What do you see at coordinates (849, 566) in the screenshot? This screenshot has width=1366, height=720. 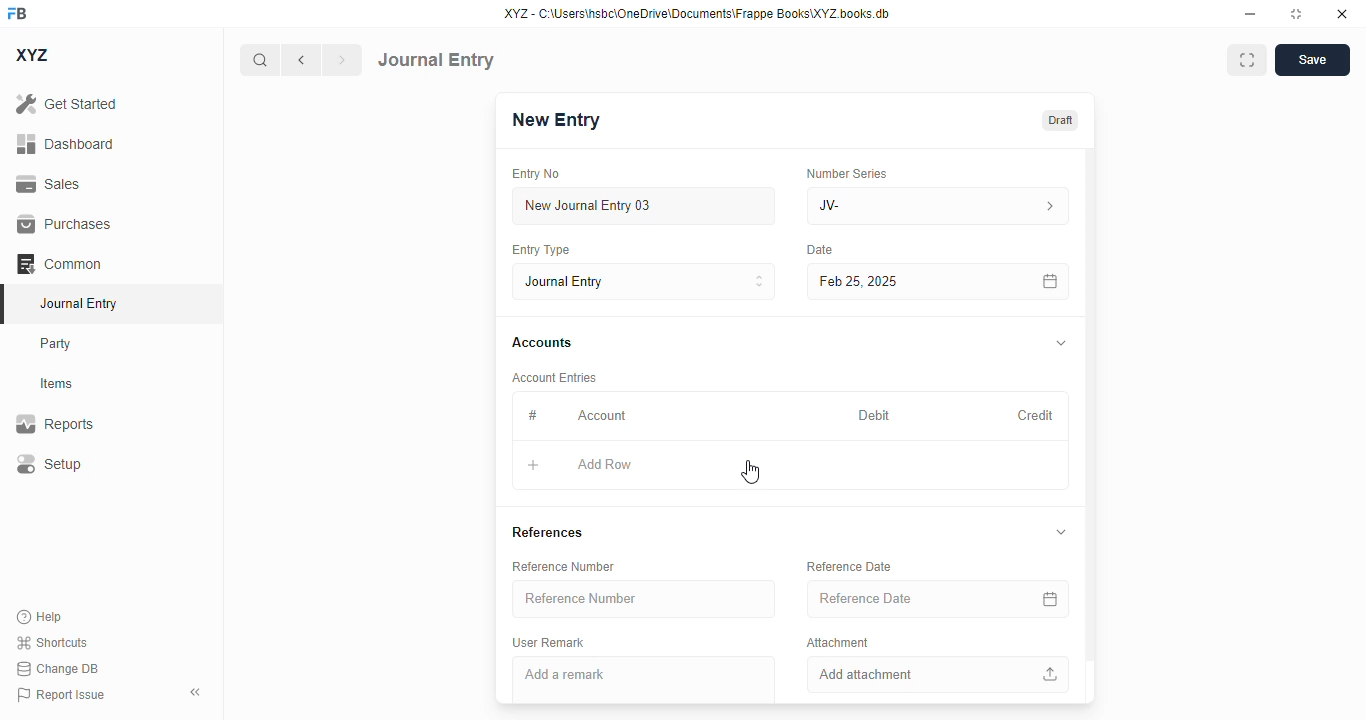 I see `reference data` at bounding box center [849, 566].